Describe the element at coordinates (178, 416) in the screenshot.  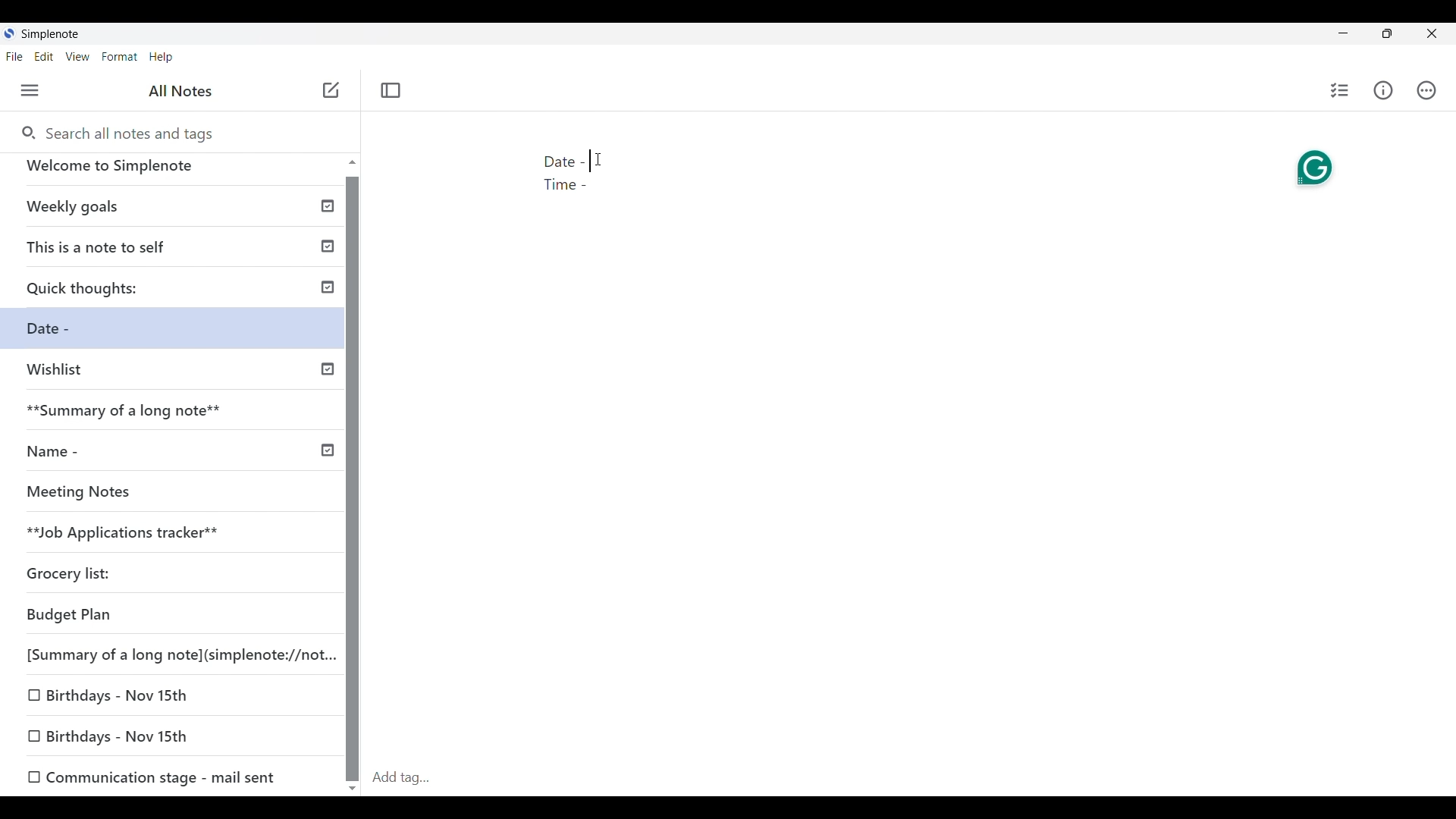
I see `Published note, indicated by check icon` at that location.